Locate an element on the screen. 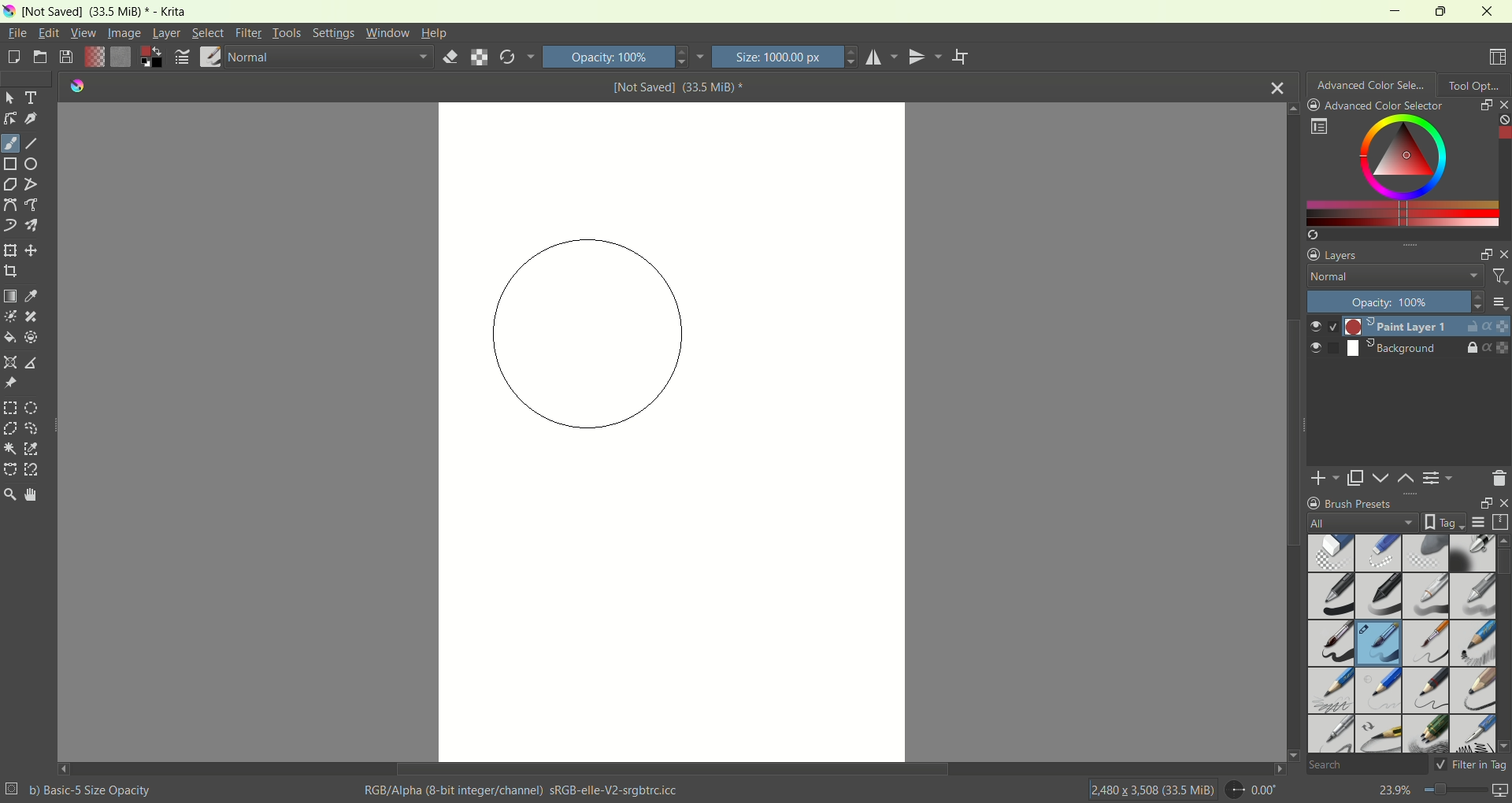 The image size is (1512, 803). 12,480 x 3,508 (33.5 MiB) is located at coordinates (1151, 789).